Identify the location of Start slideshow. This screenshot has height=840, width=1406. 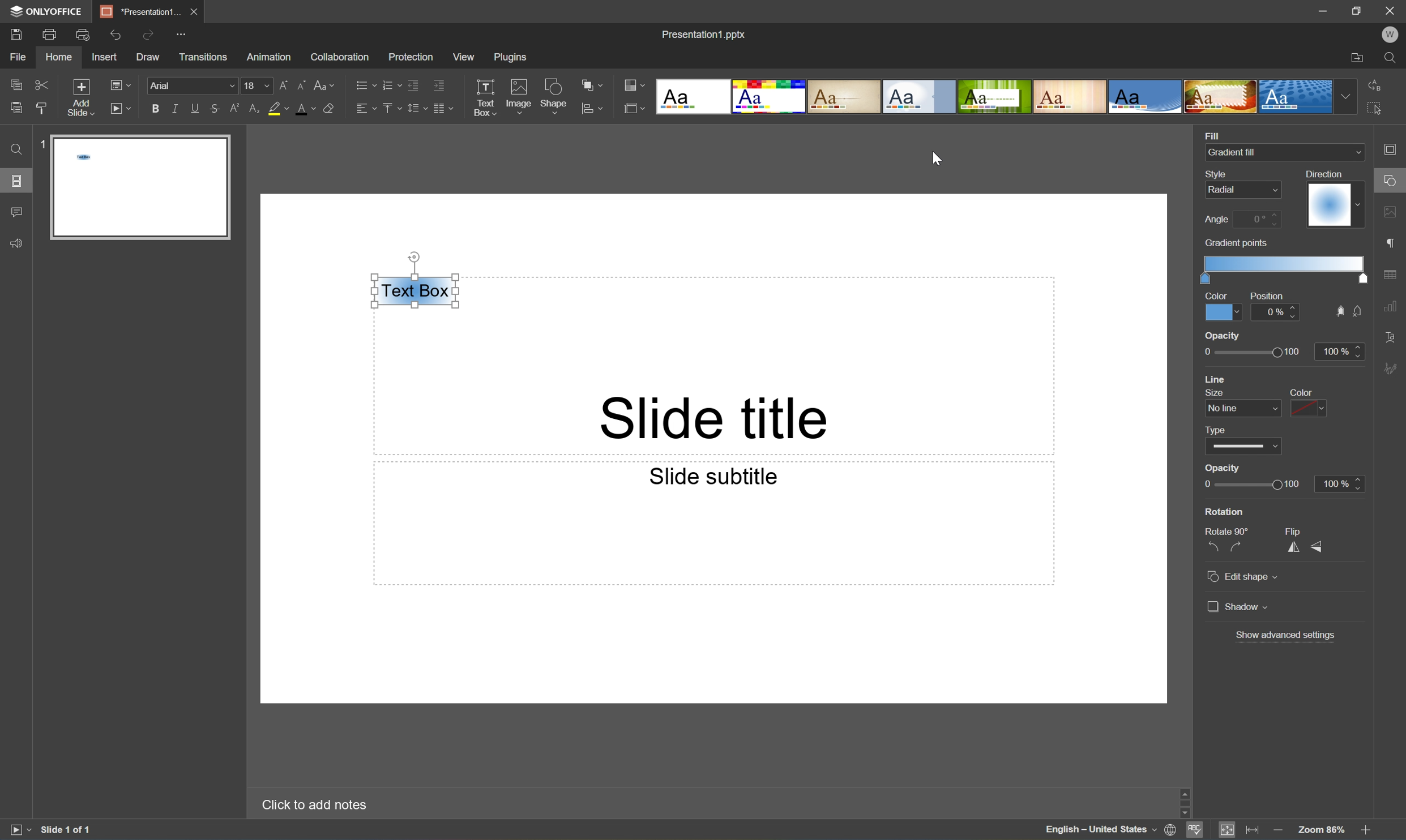
(16, 830).